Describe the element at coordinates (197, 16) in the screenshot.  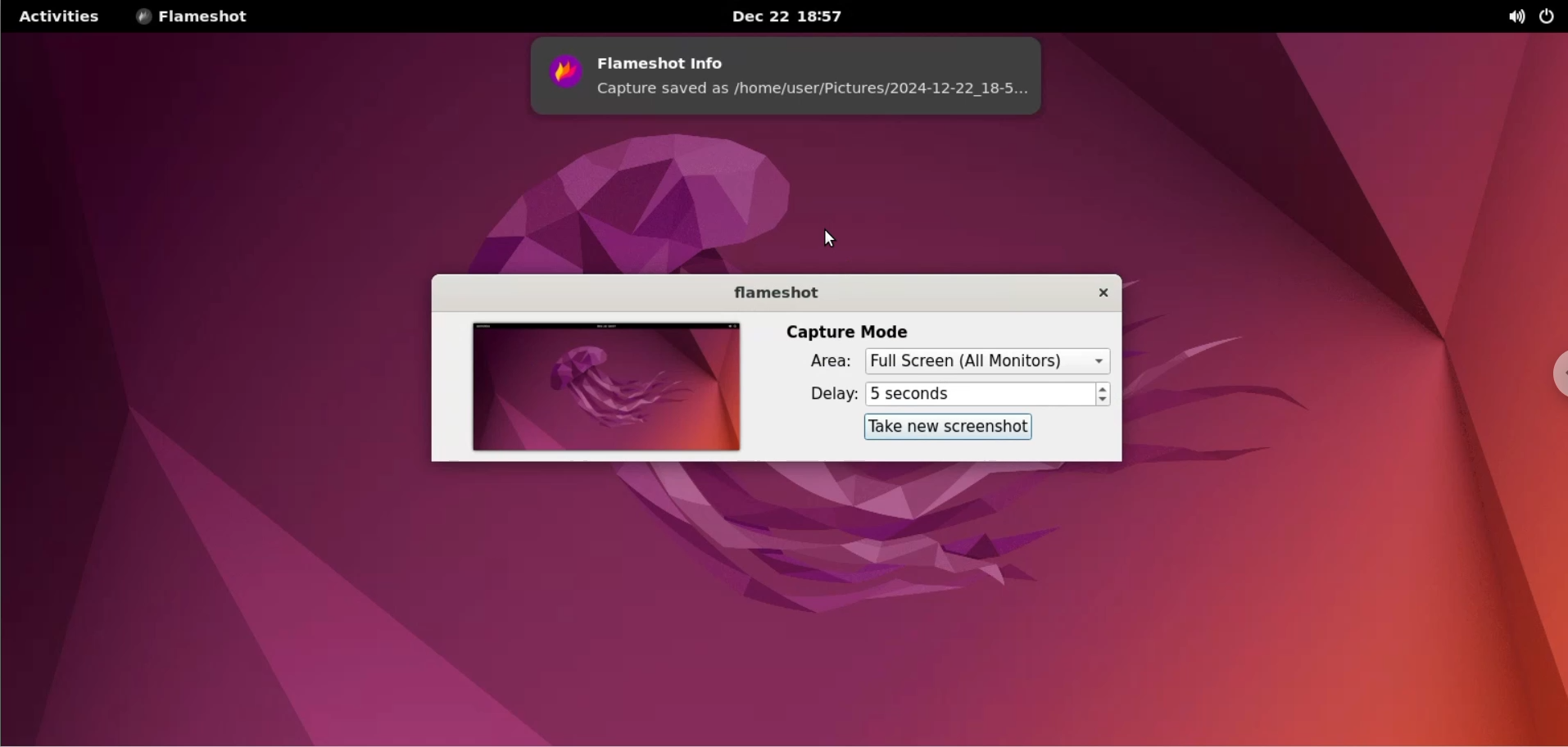
I see `flameshot options` at that location.